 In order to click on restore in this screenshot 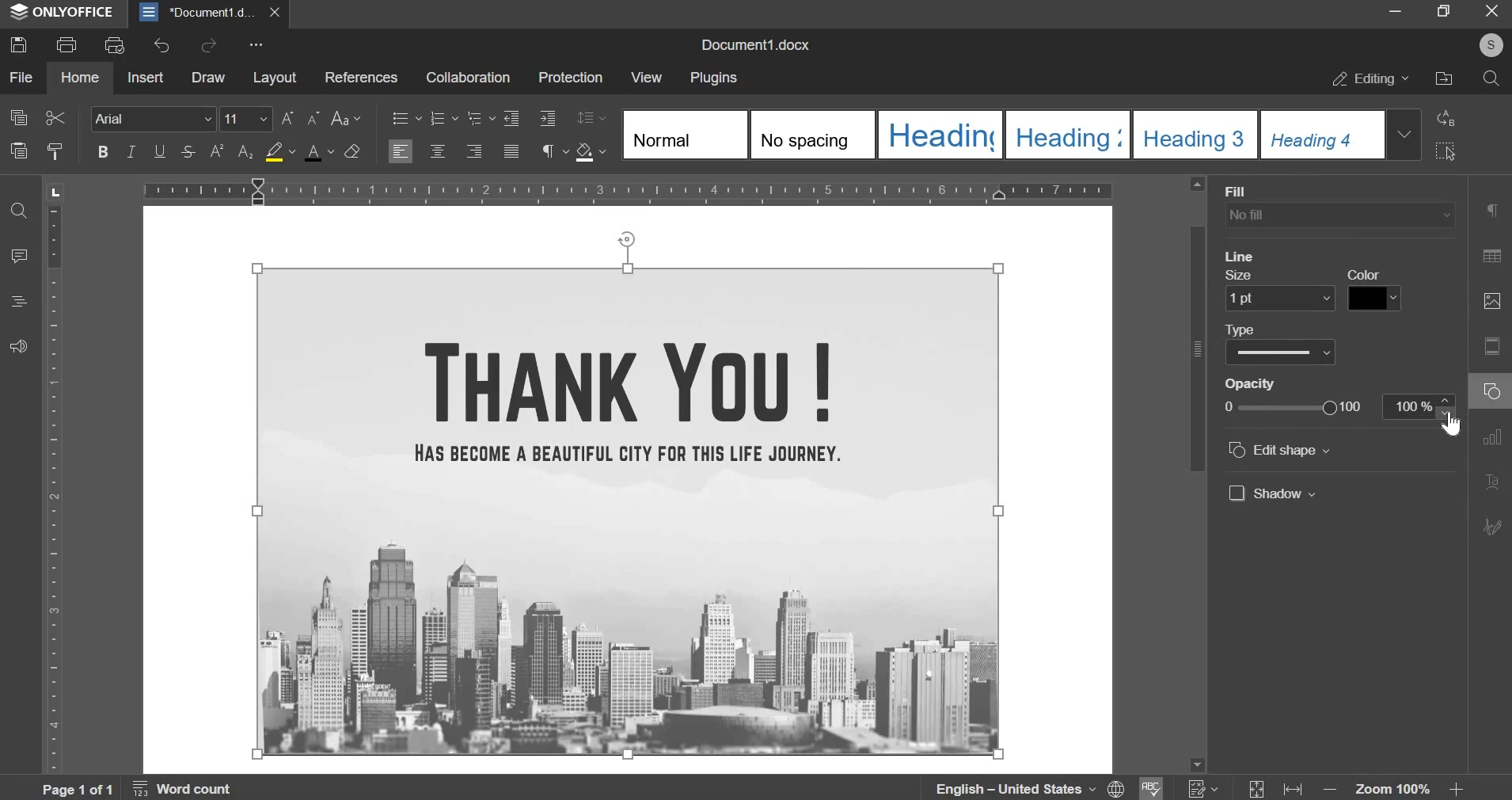, I will do `click(1444, 12)`.